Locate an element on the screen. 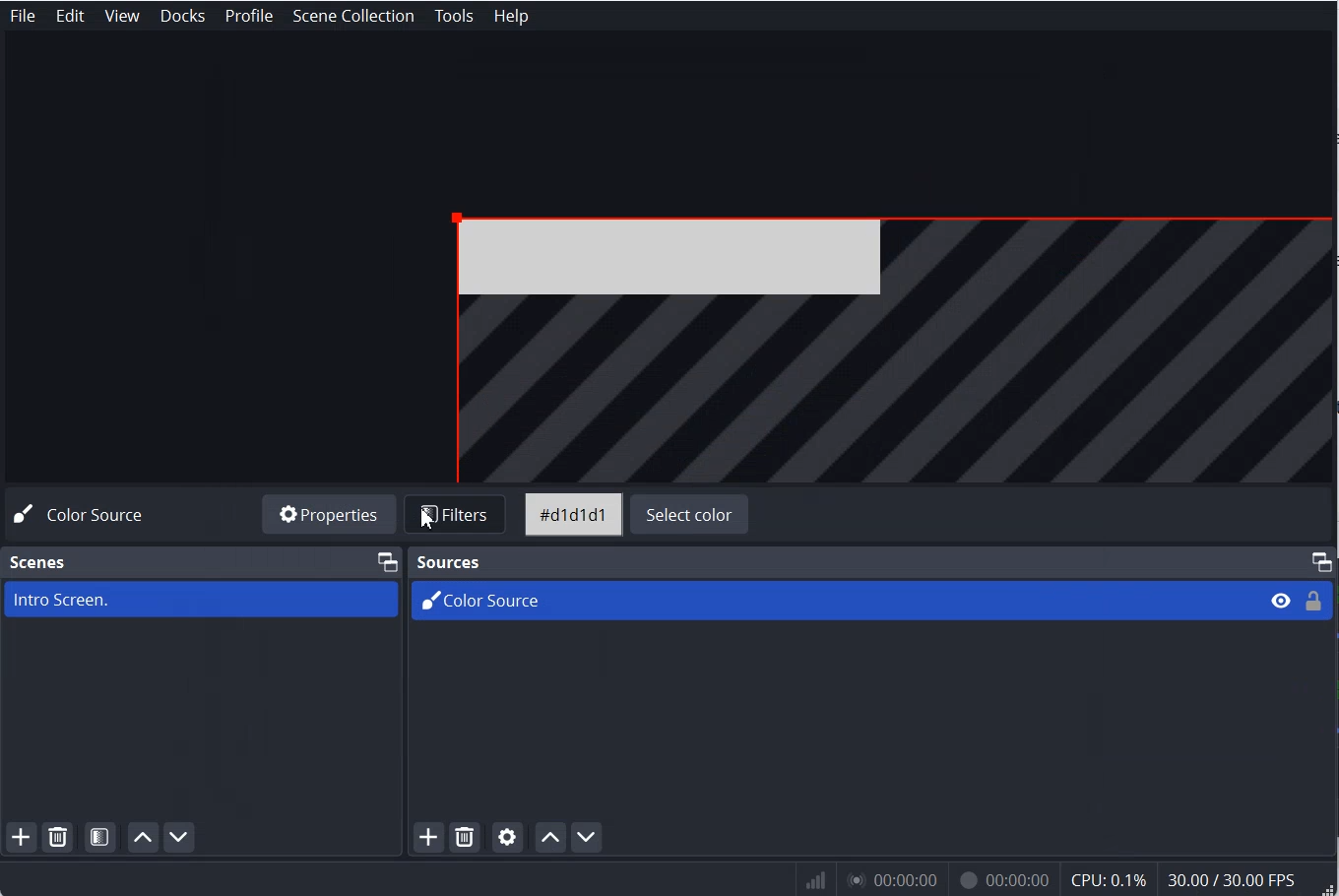 Image resolution: width=1339 pixels, height=896 pixels. Move Source up is located at coordinates (549, 836).